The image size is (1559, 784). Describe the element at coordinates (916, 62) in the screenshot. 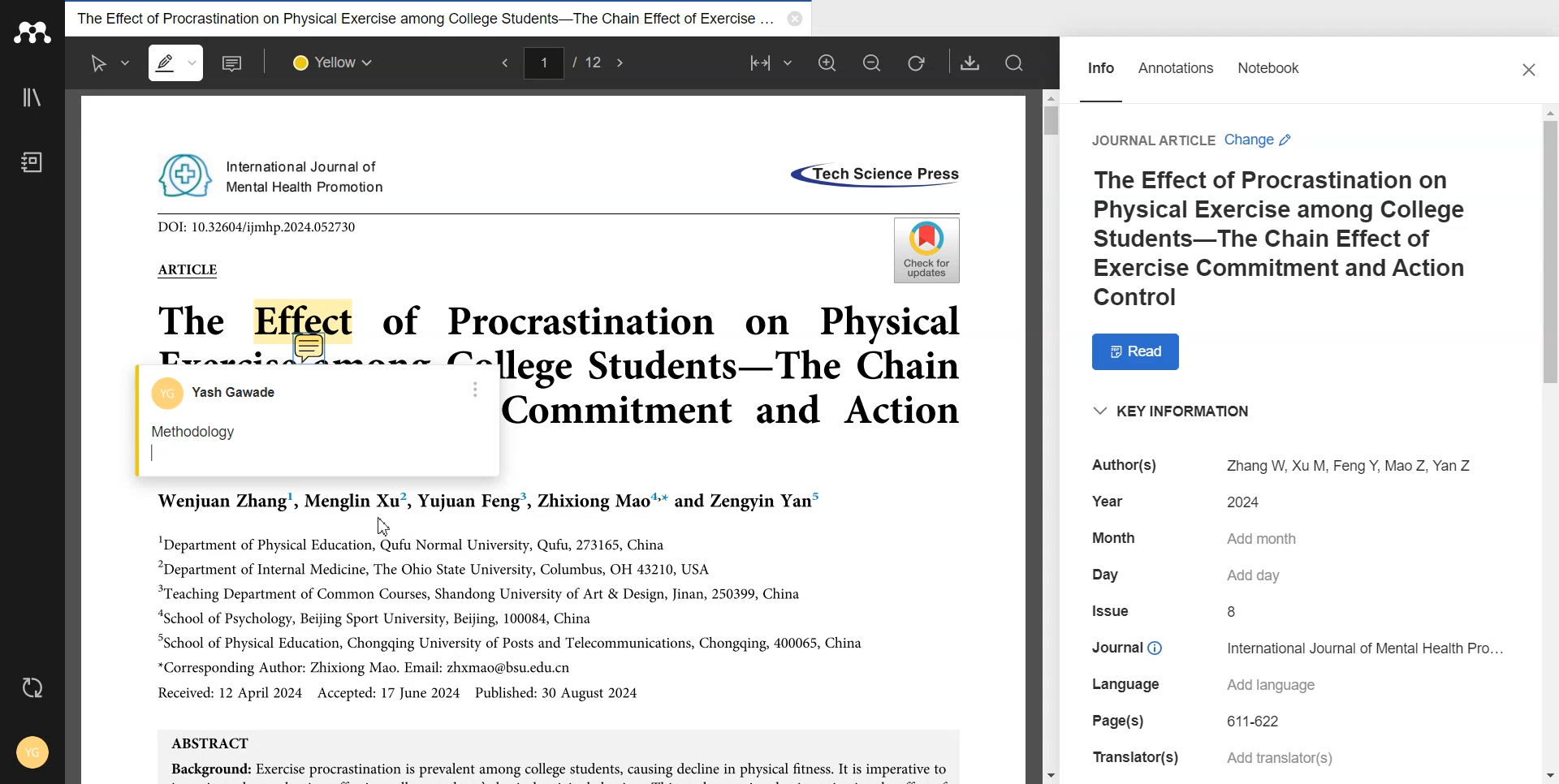

I see `Refresh` at that location.